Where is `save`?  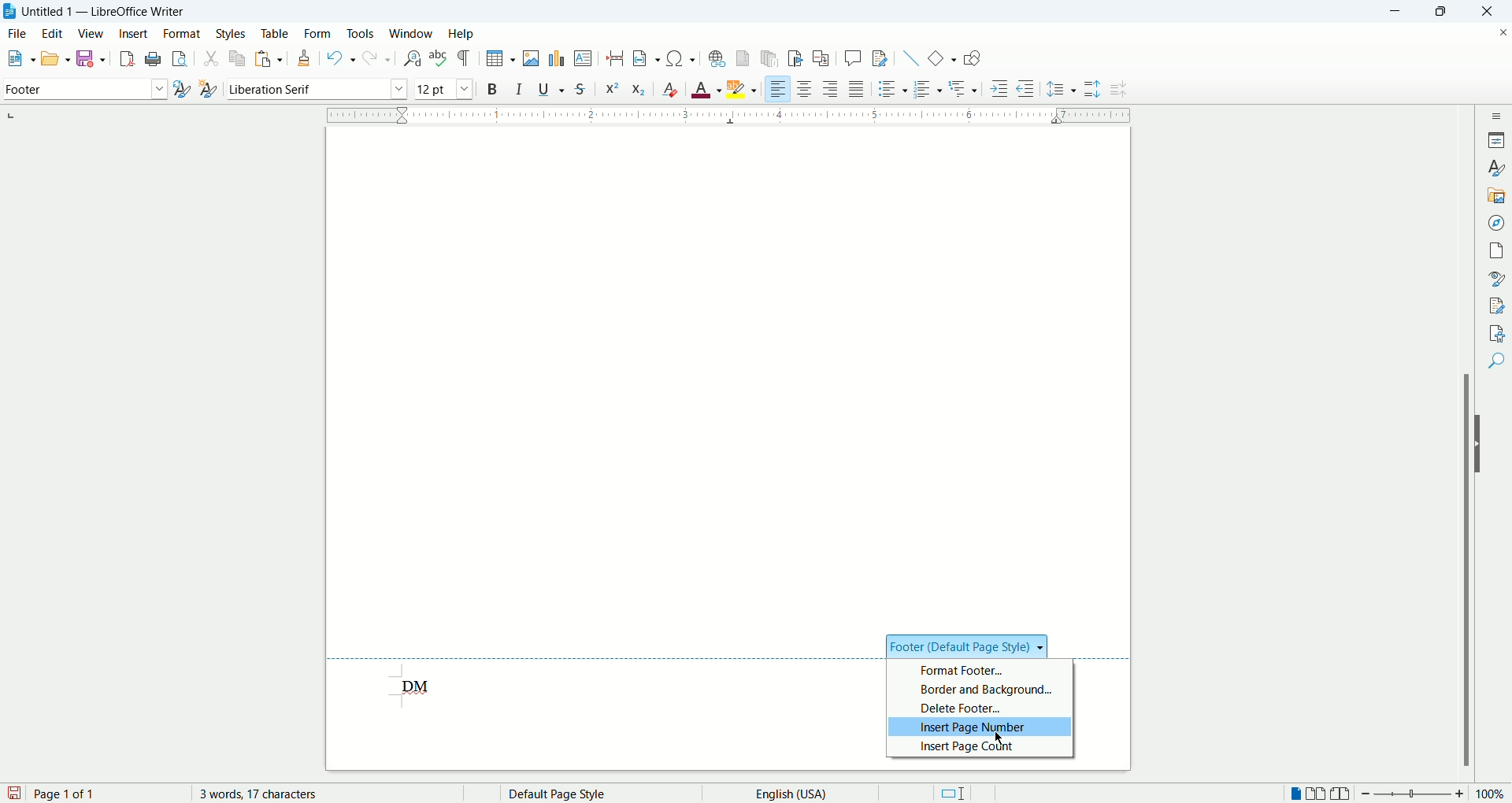 save is located at coordinates (14, 792).